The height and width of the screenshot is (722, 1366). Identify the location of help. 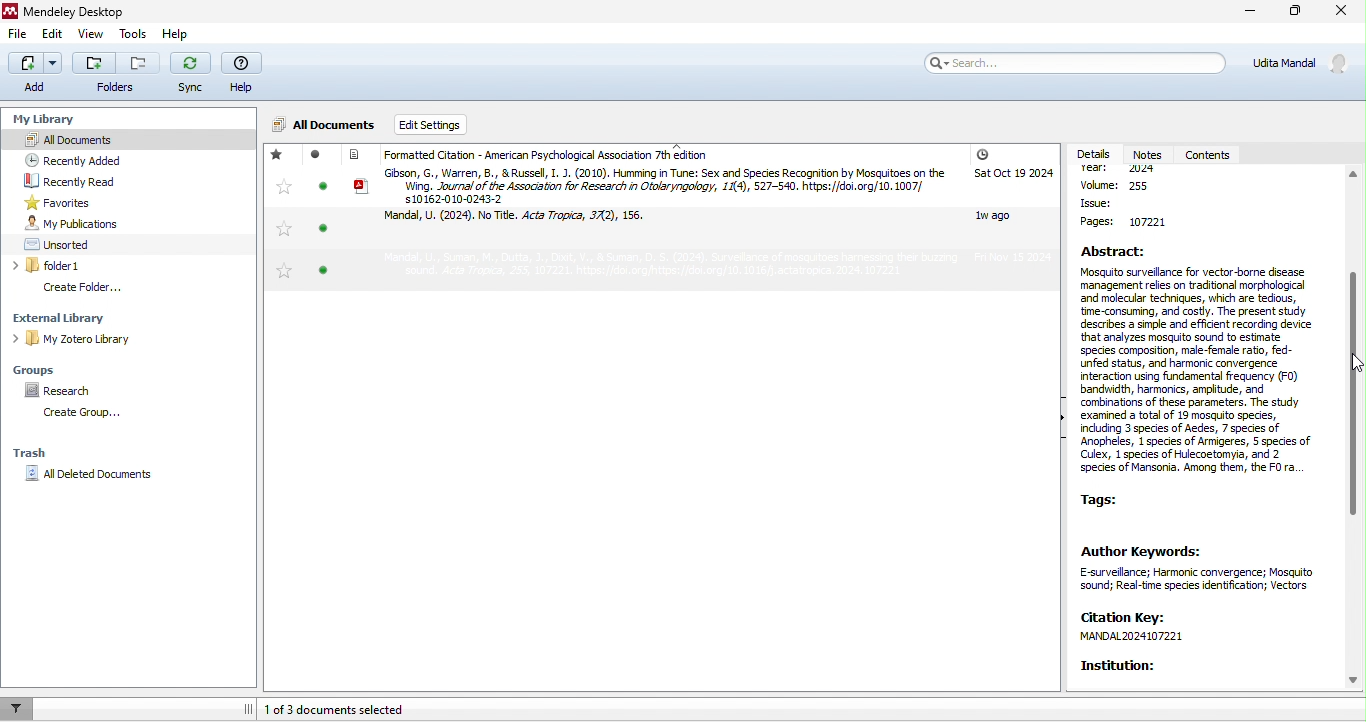
(173, 34).